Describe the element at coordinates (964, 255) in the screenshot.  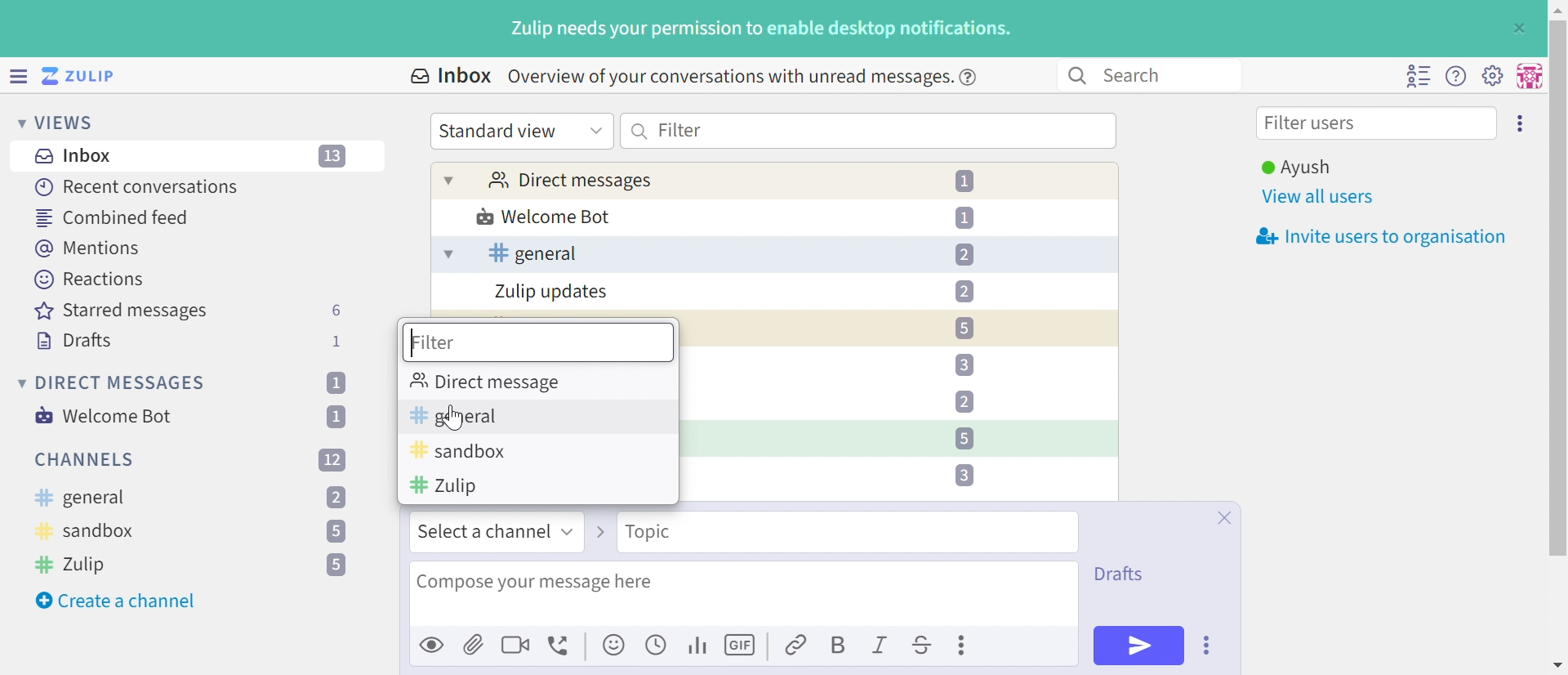
I see `2` at that location.